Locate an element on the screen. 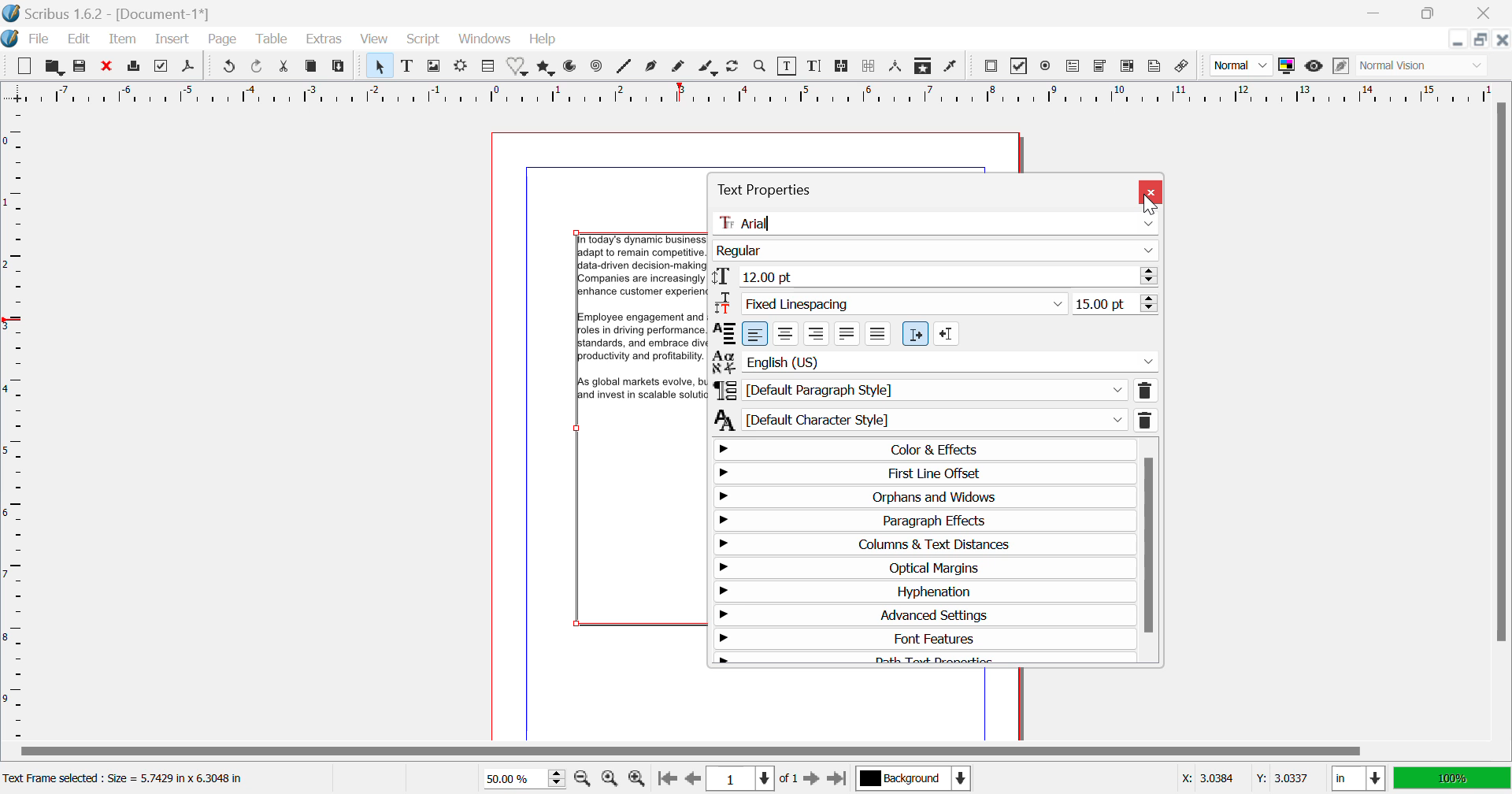 The image size is (1512, 794). Text Justified is located at coordinates (847, 332).